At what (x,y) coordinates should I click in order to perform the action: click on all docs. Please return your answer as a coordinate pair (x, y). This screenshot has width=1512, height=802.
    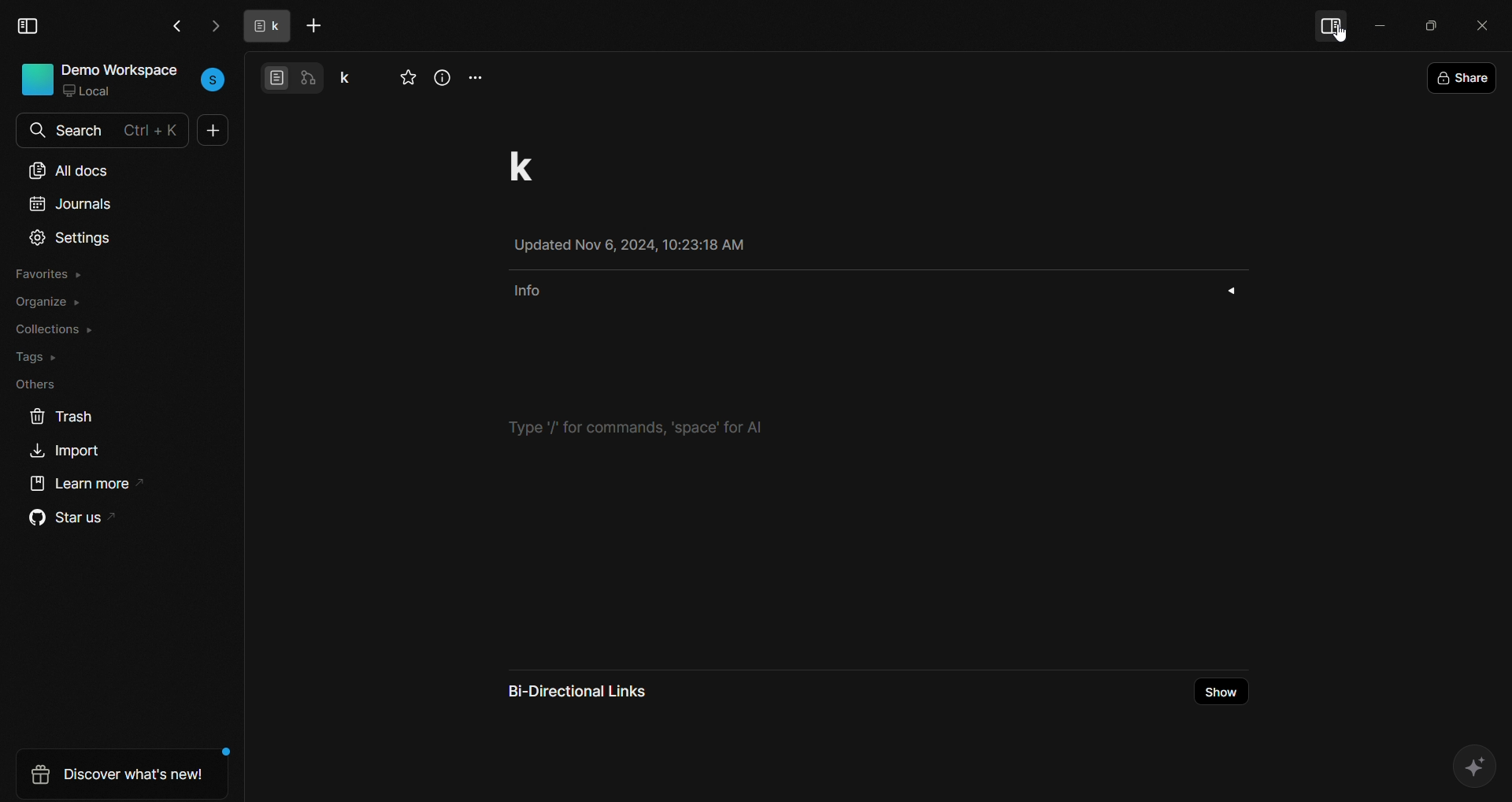
    Looking at the image, I should click on (69, 167).